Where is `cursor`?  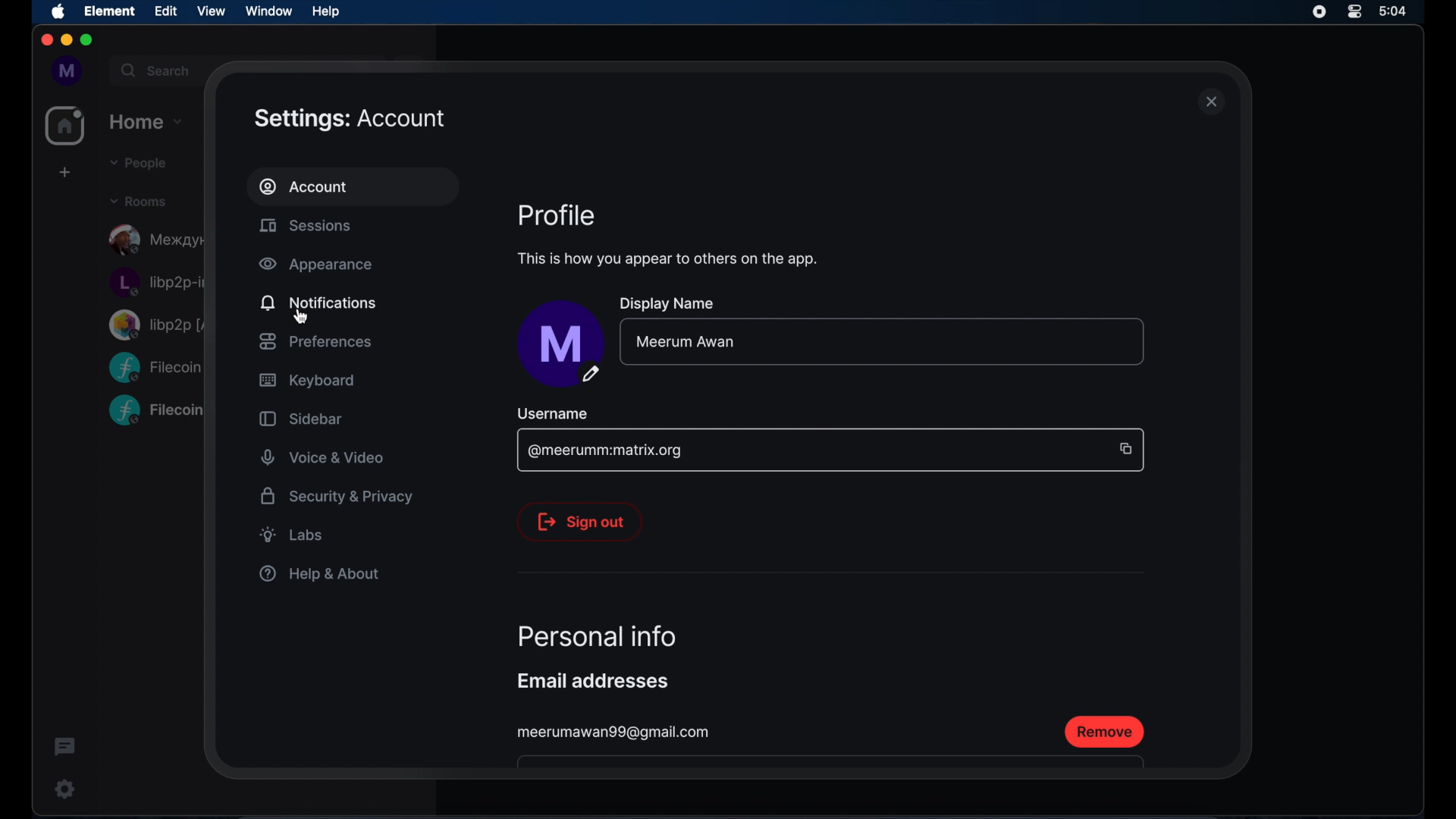 cursor is located at coordinates (302, 317).